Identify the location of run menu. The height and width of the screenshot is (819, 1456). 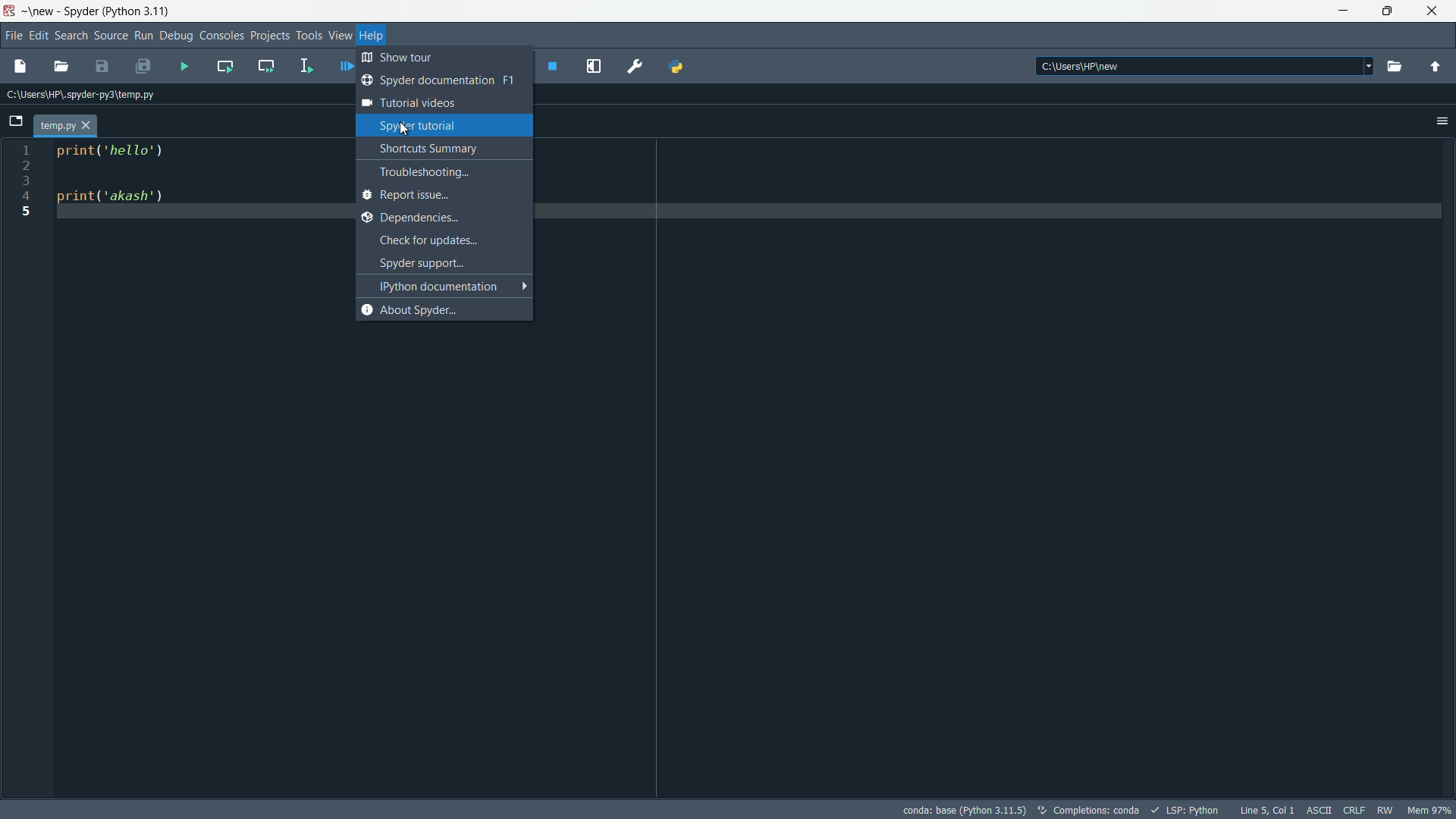
(143, 36).